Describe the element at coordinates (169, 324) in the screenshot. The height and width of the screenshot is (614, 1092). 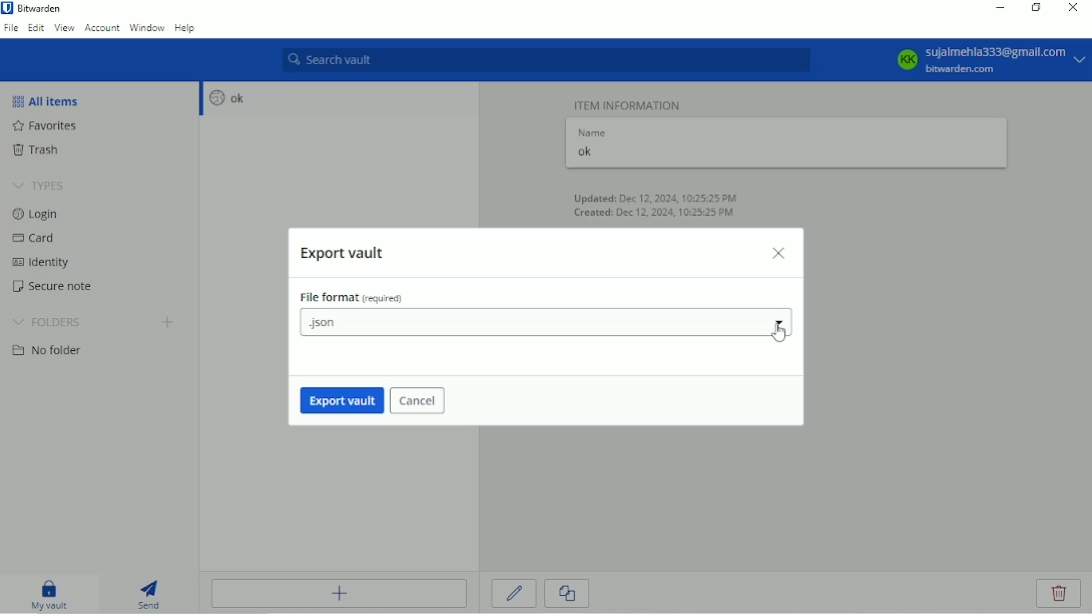
I see `Create folder` at that location.